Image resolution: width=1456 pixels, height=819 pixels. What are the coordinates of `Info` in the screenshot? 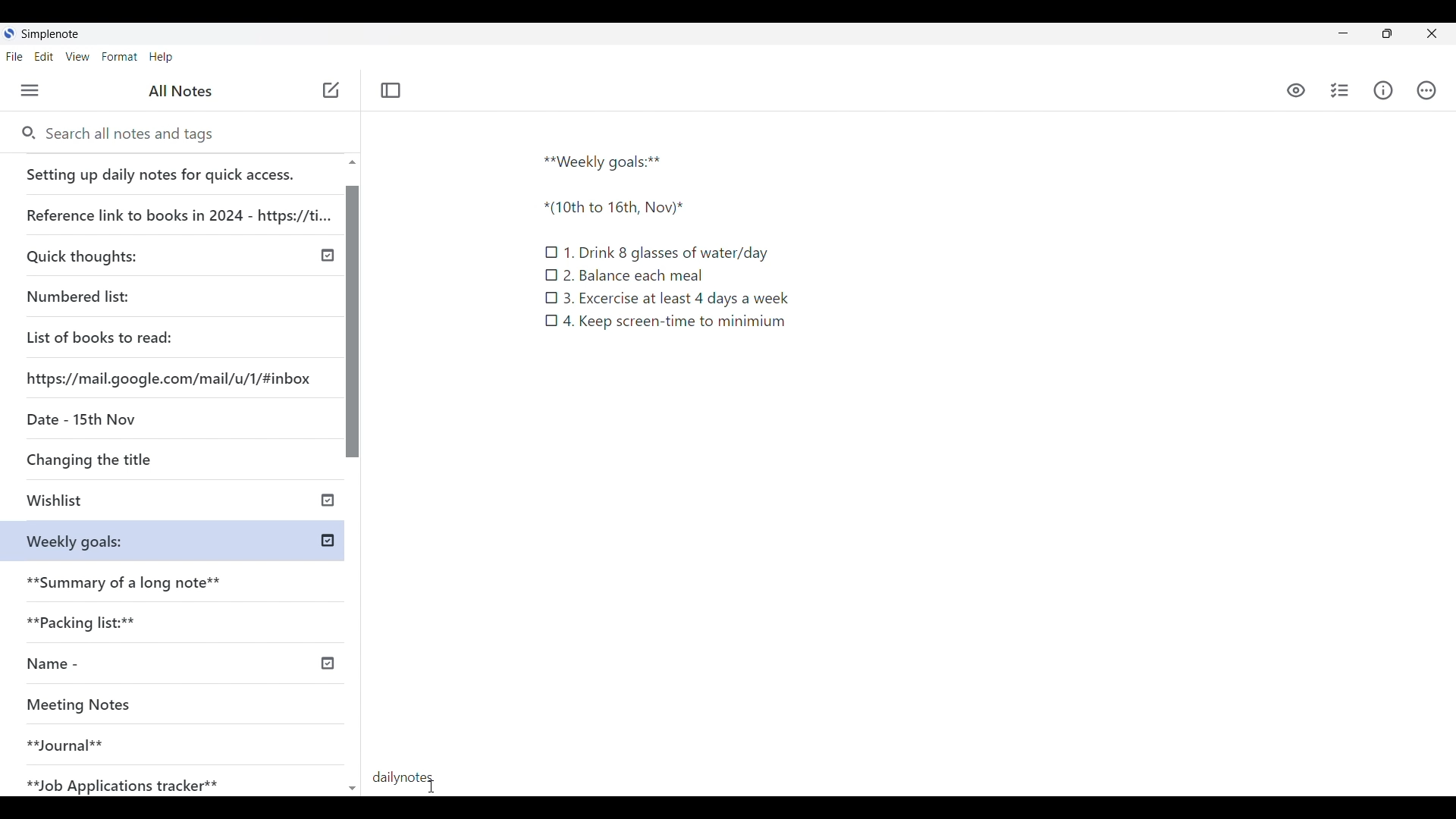 It's located at (1382, 91).